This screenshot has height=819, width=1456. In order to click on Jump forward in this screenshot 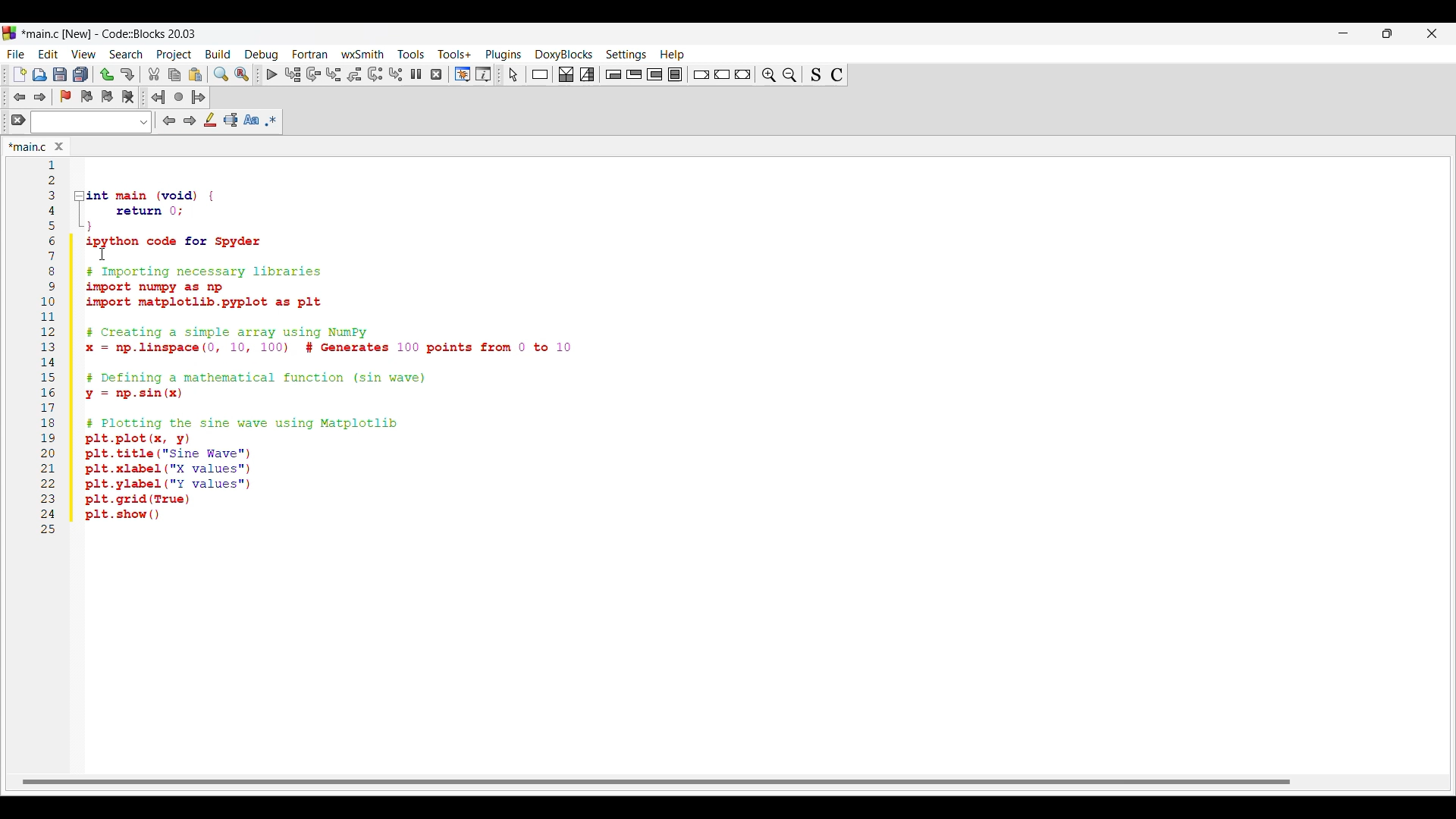, I will do `click(199, 97)`.